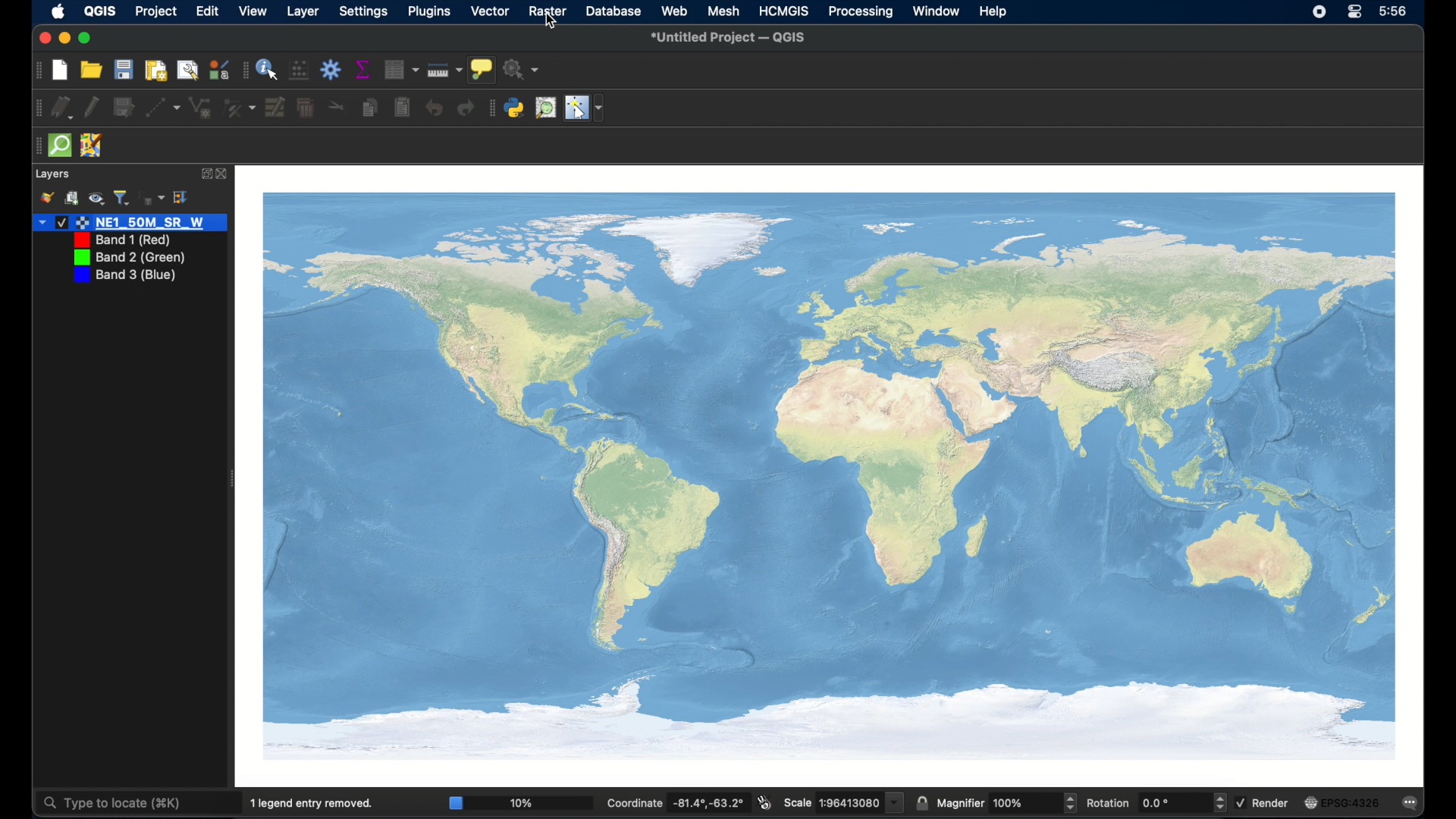 The width and height of the screenshot is (1456, 819). I want to click on control center, so click(1356, 13).